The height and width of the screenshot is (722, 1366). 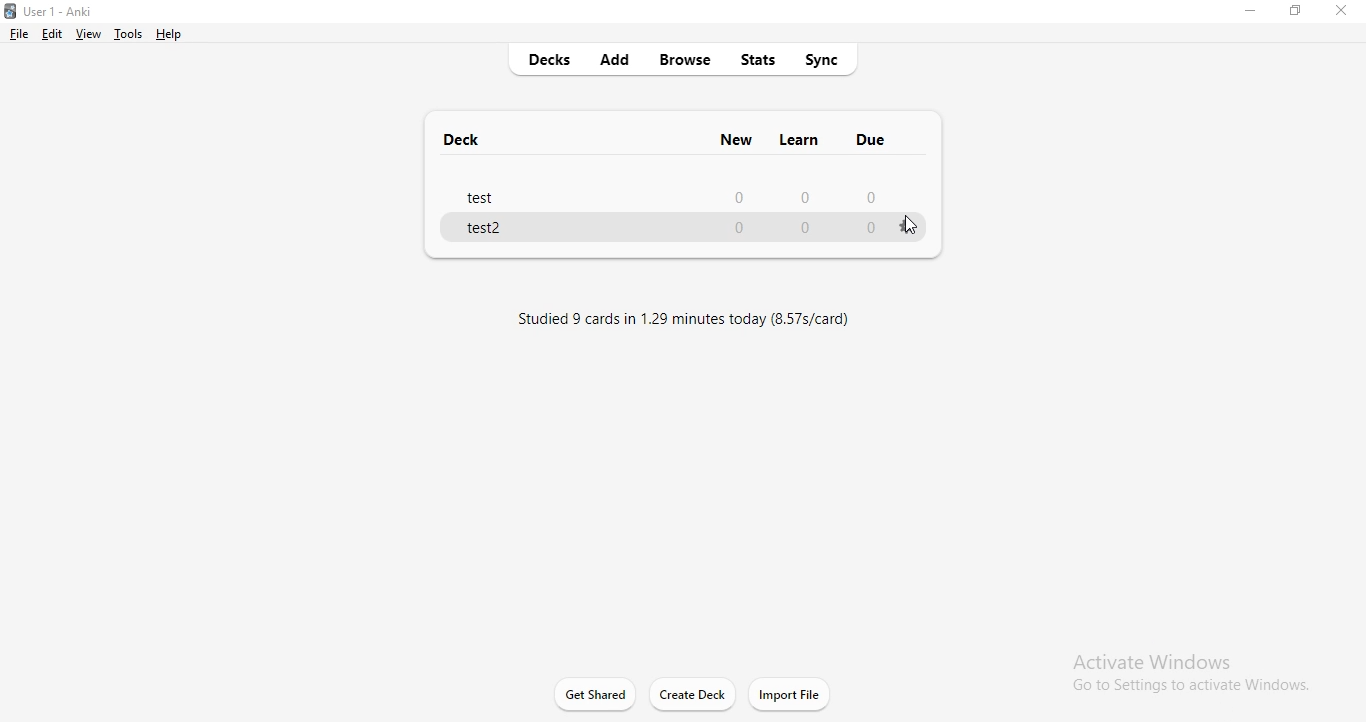 I want to click on import file, so click(x=798, y=695).